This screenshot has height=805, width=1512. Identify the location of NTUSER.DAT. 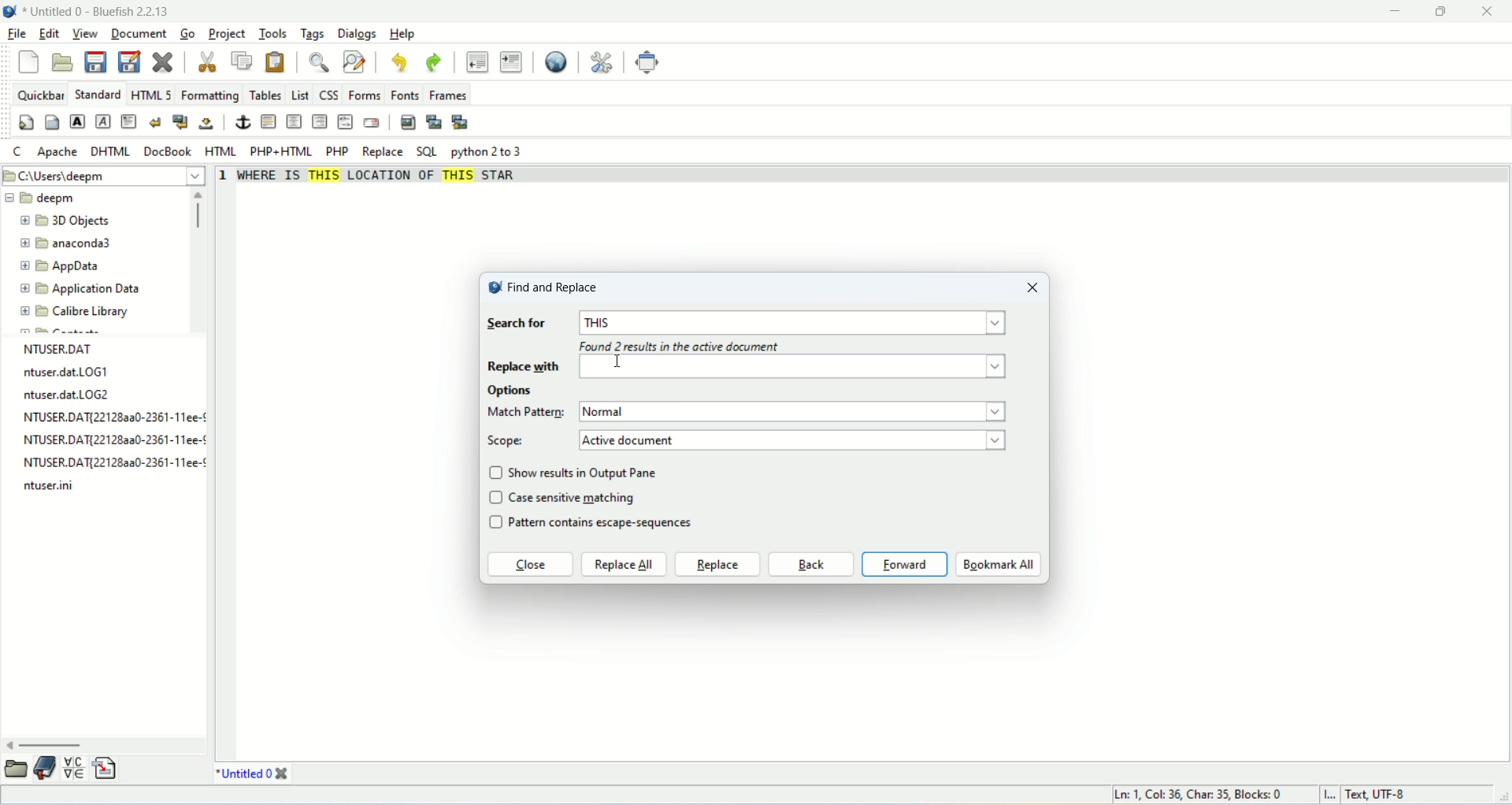
(61, 348).